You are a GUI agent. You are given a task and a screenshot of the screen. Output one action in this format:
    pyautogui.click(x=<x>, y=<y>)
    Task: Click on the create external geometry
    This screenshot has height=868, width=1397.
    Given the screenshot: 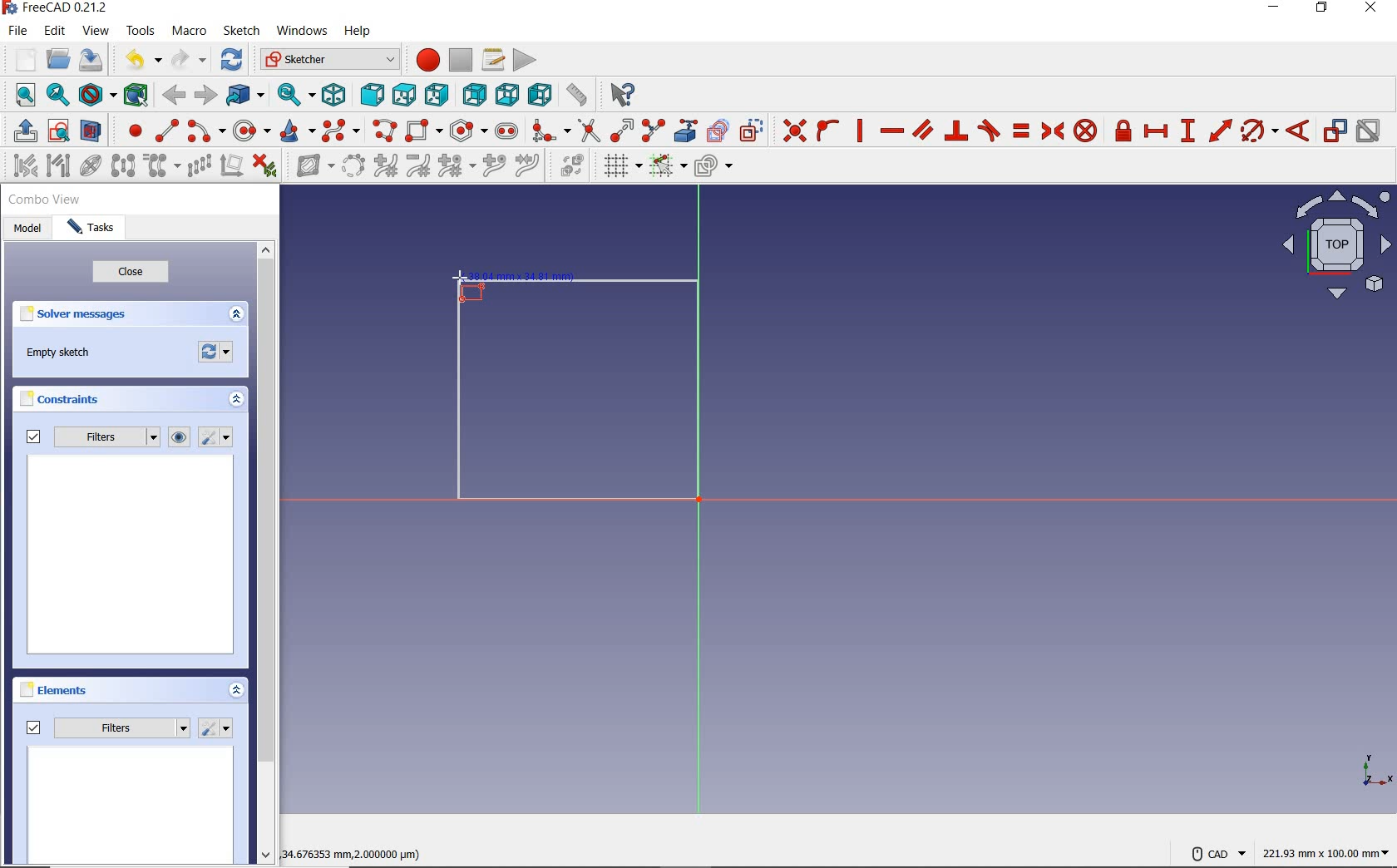 What is the action you would take?
    pyautogui.click(x=687, y=131)
    